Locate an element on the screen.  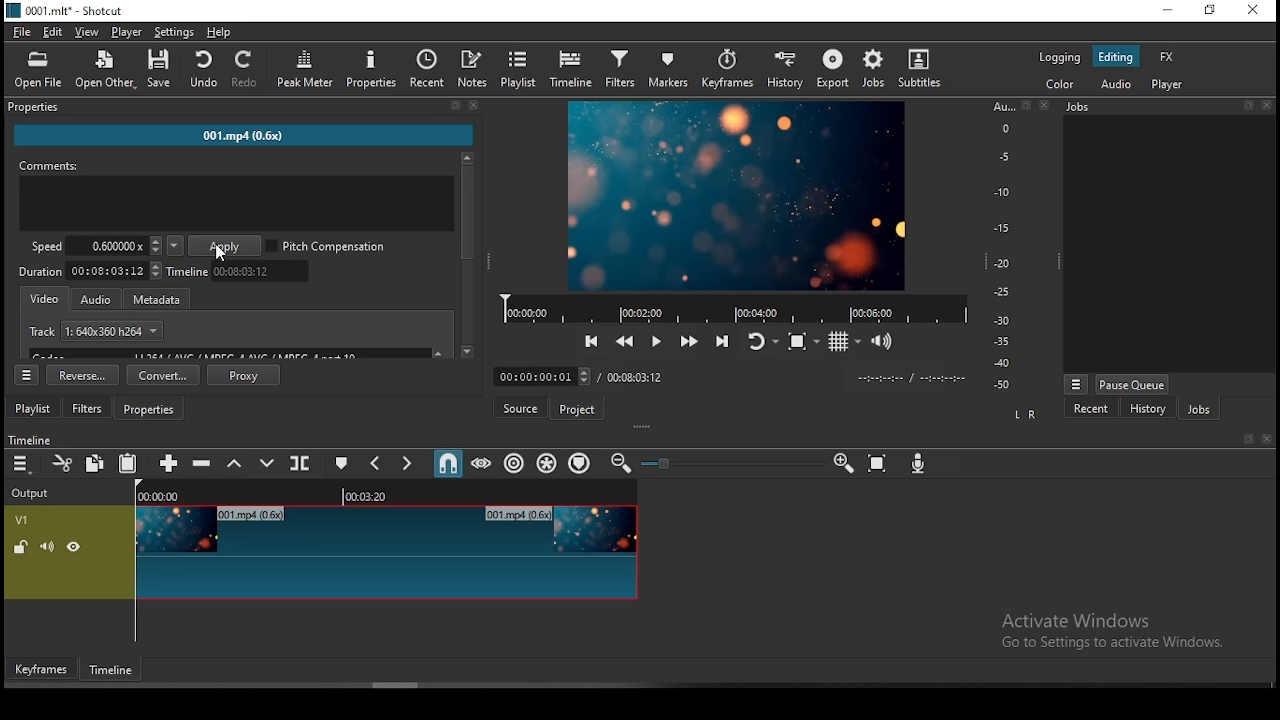
append is located at coordinates (166, 460).